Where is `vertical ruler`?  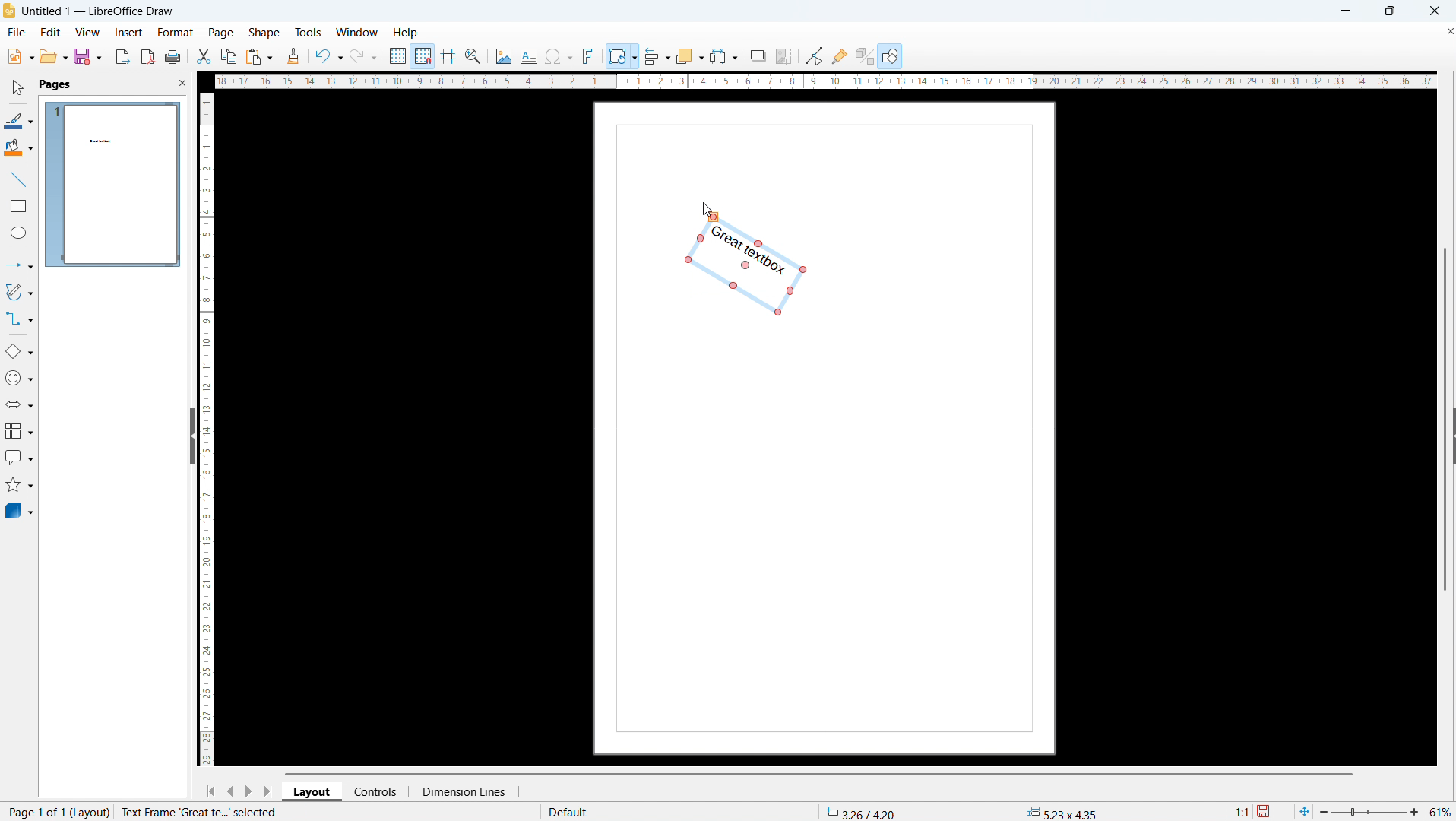 vertical ruler is located at coordinates (207, 428).